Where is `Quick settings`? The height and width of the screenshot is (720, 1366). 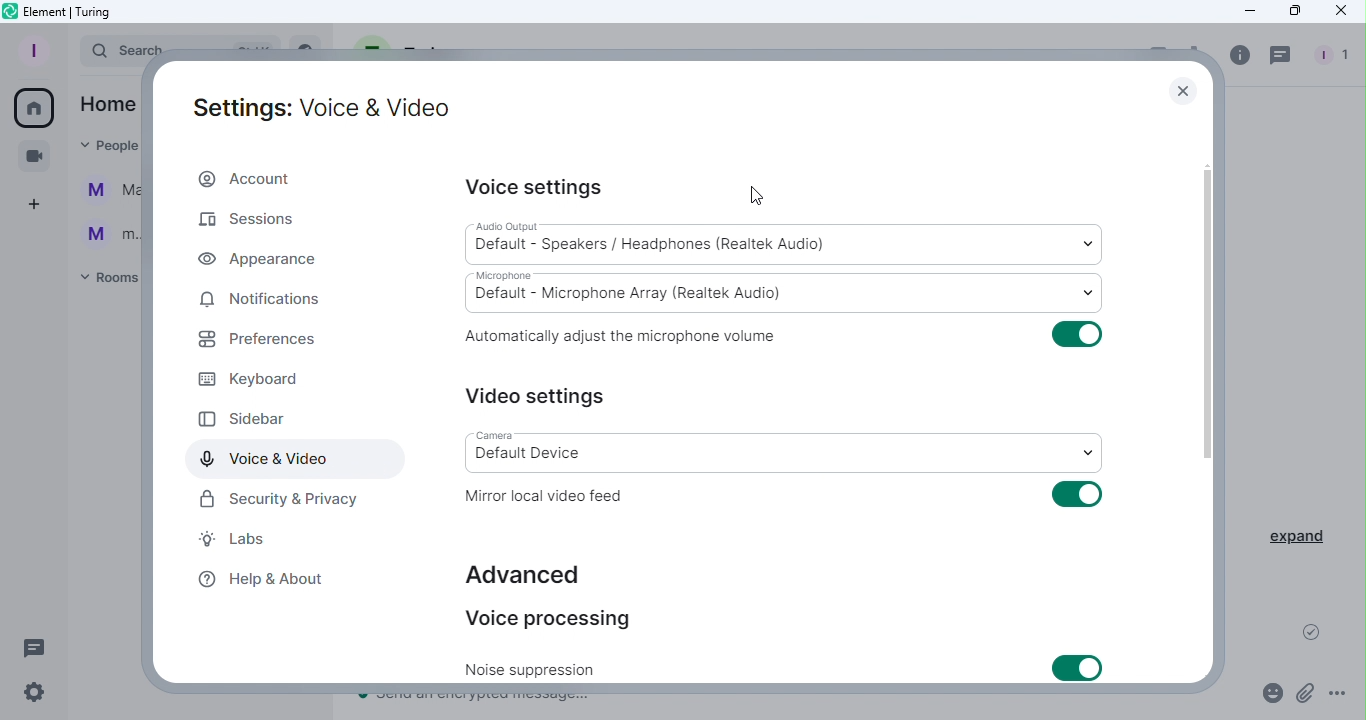
Quick settings is located at coordinates (39, 695).